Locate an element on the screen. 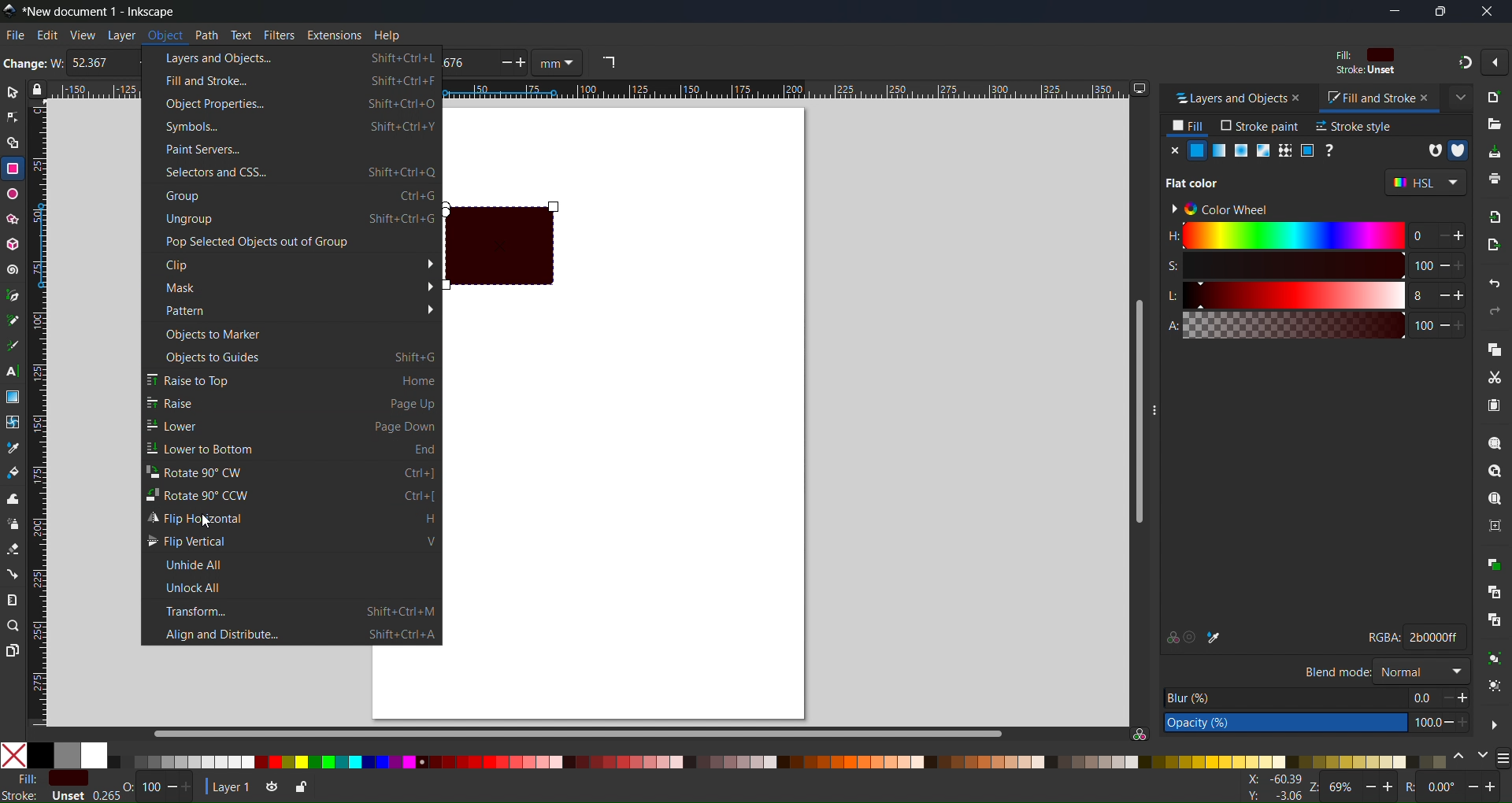 The width and height of the screenshot is (1512, 803). Unlock All is located at coordinates (292, 587).